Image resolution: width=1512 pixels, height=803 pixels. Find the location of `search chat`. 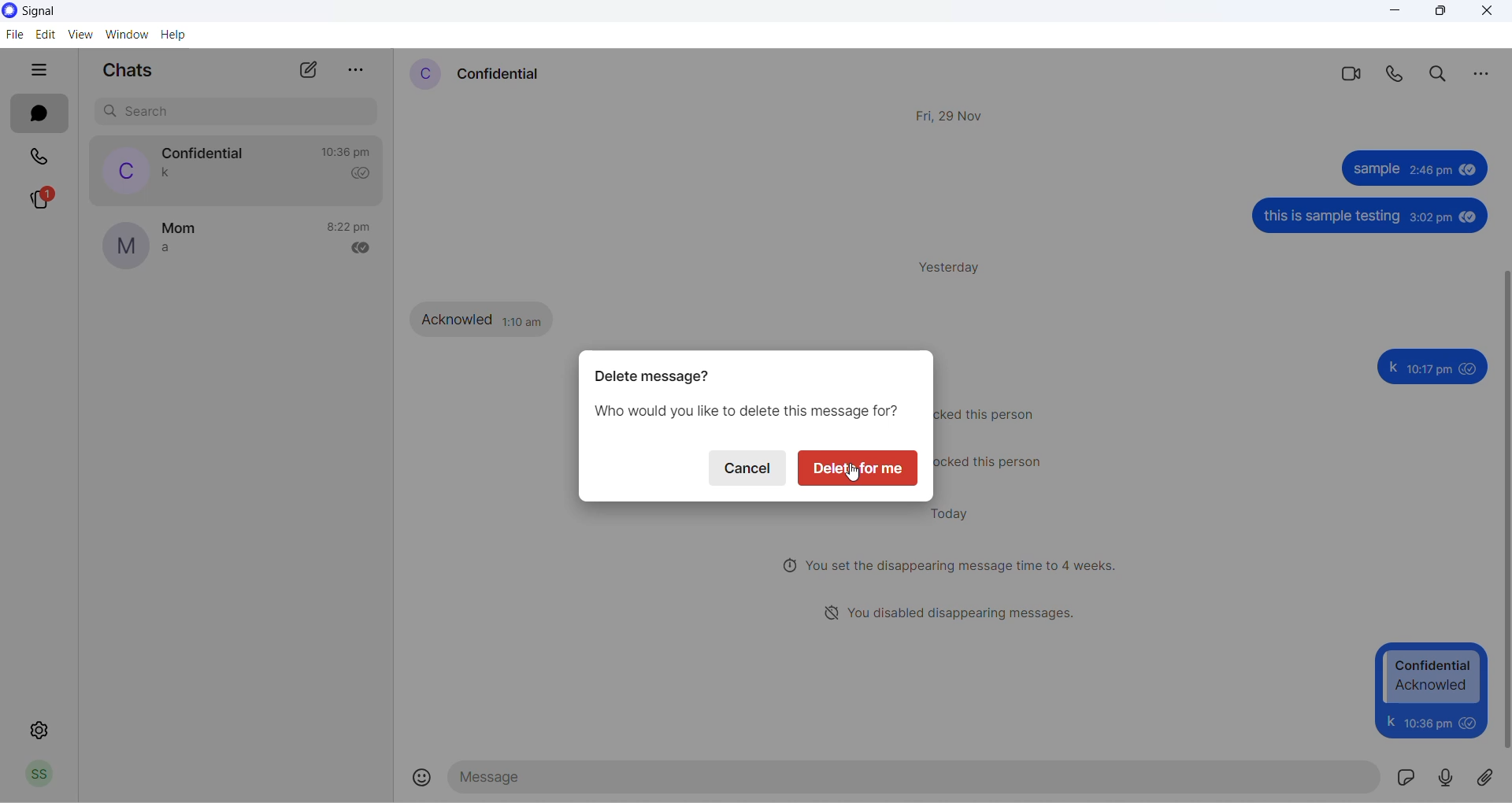

search chat is located at coordinates (237, 113).